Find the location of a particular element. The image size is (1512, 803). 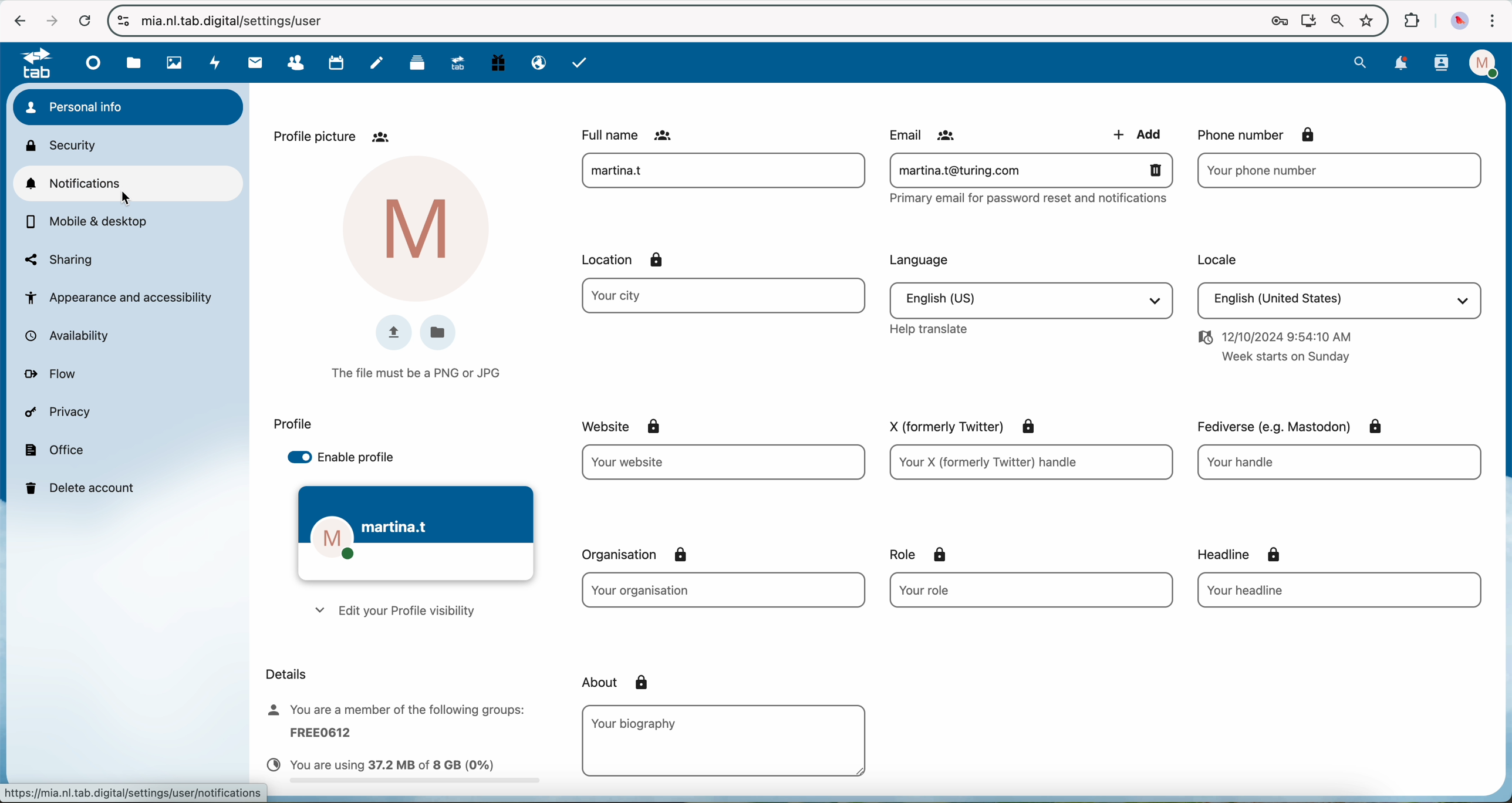

biography is located at coordinates (725, 743).